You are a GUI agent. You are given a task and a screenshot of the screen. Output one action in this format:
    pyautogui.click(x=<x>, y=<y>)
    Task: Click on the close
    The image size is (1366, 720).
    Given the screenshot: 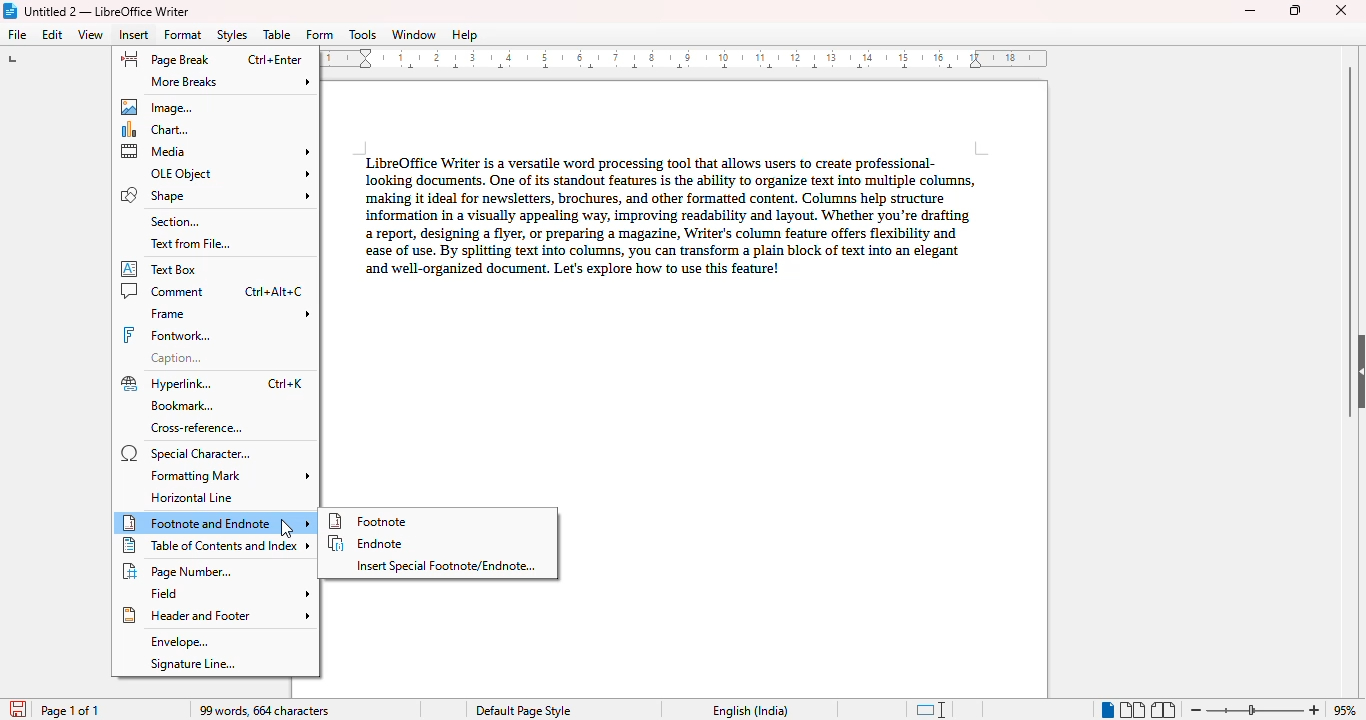 What is the action you would take?
    pyautogui.click(x=1343, y=9)
    